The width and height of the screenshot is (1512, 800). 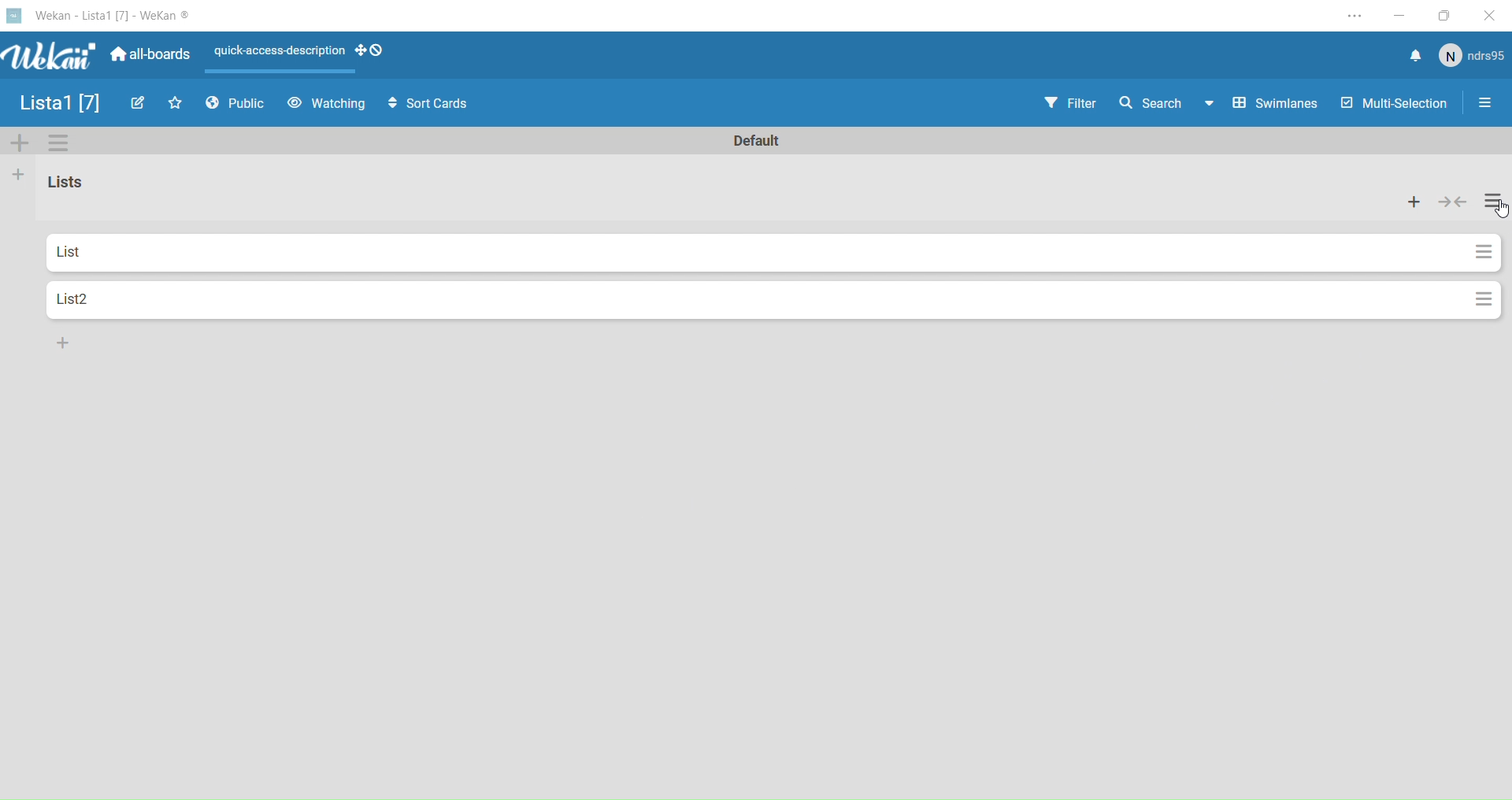 What do you see at coordinates (752, 143) in the screenshot?
I see `Default` at bounding box center [752, 143].